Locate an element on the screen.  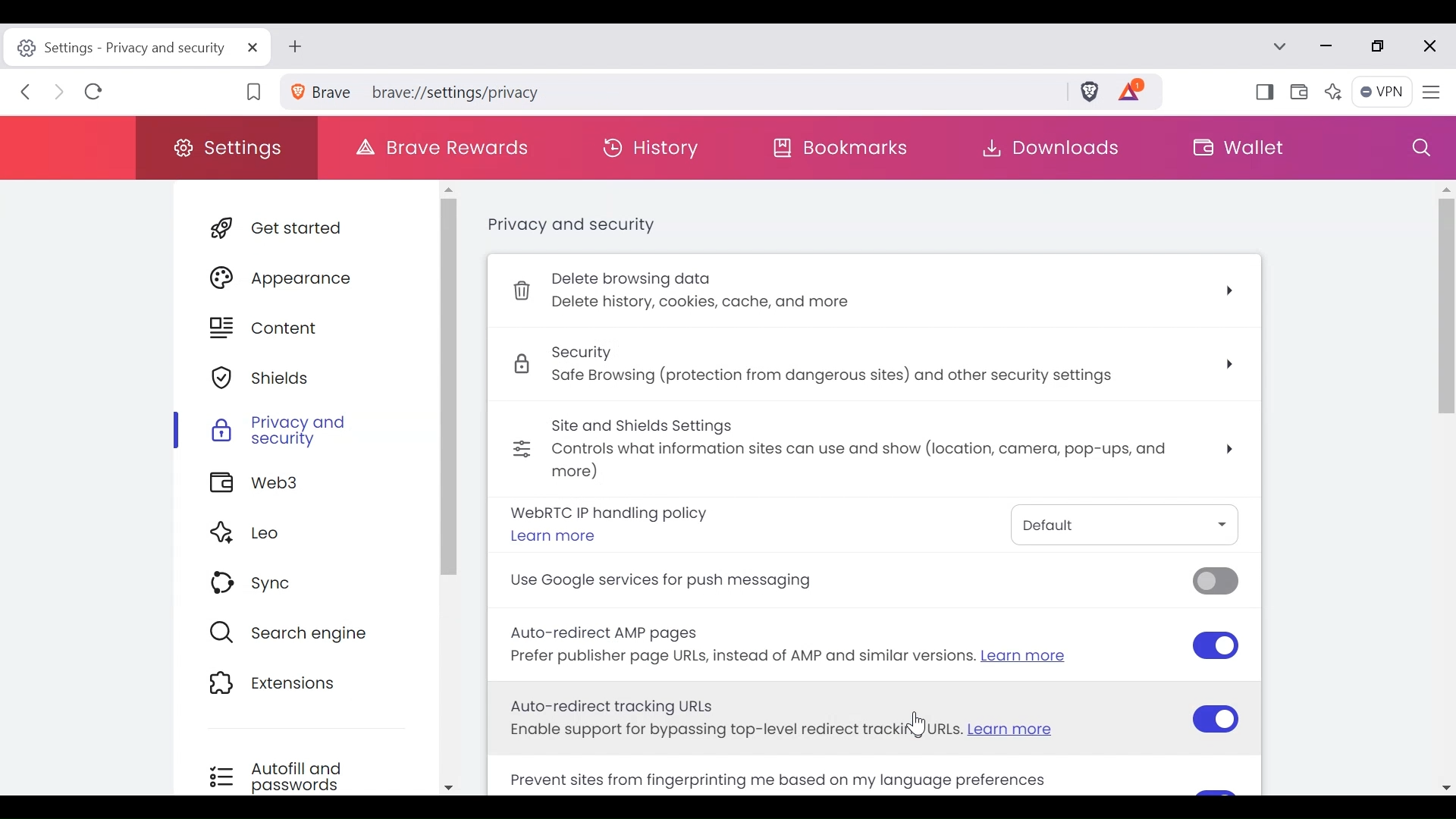
WebRTC IP handling policy
Default hd
Learn more is located at coordinates (870, 527).